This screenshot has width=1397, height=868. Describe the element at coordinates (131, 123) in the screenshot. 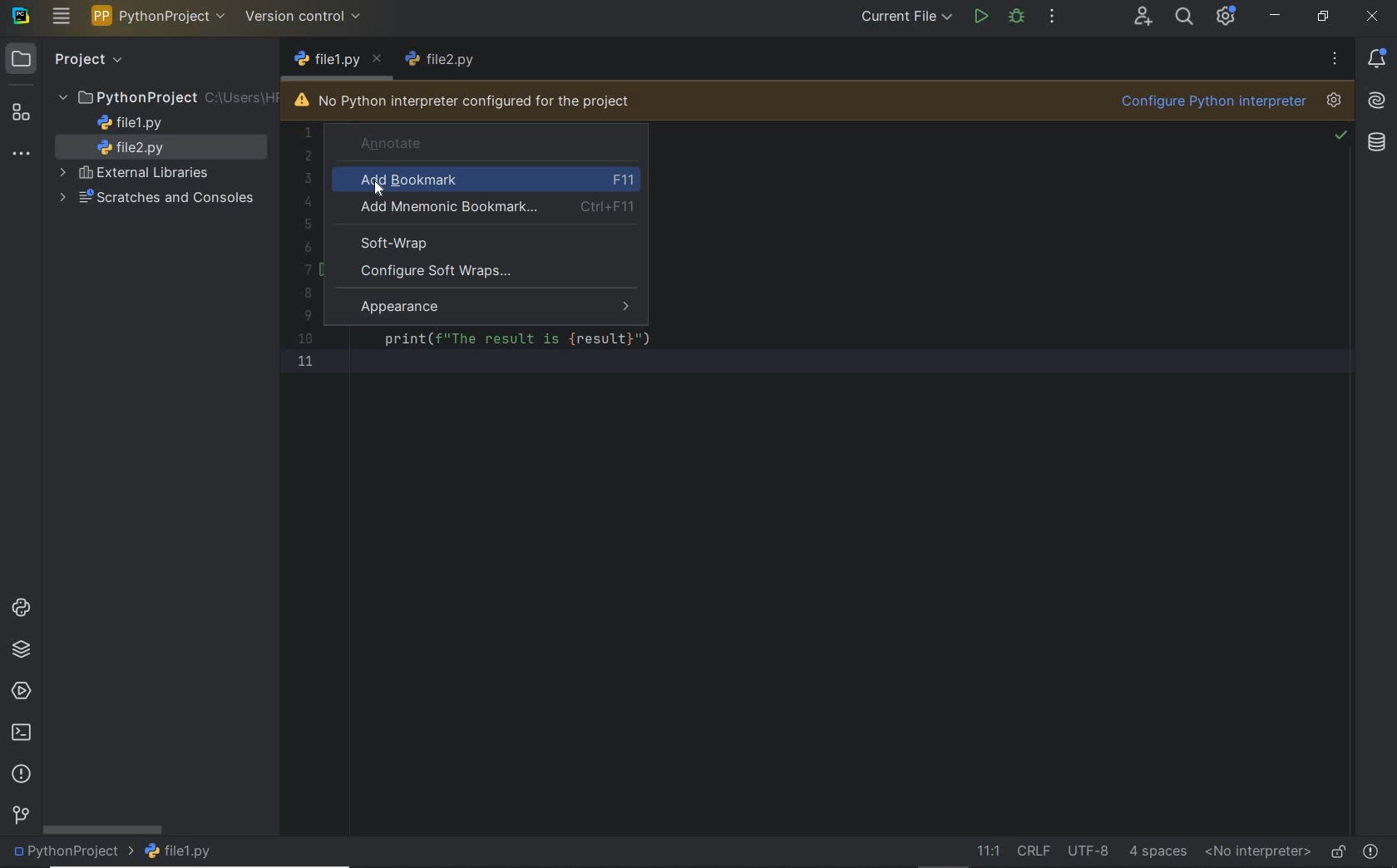

I see `file name 1` at that location.